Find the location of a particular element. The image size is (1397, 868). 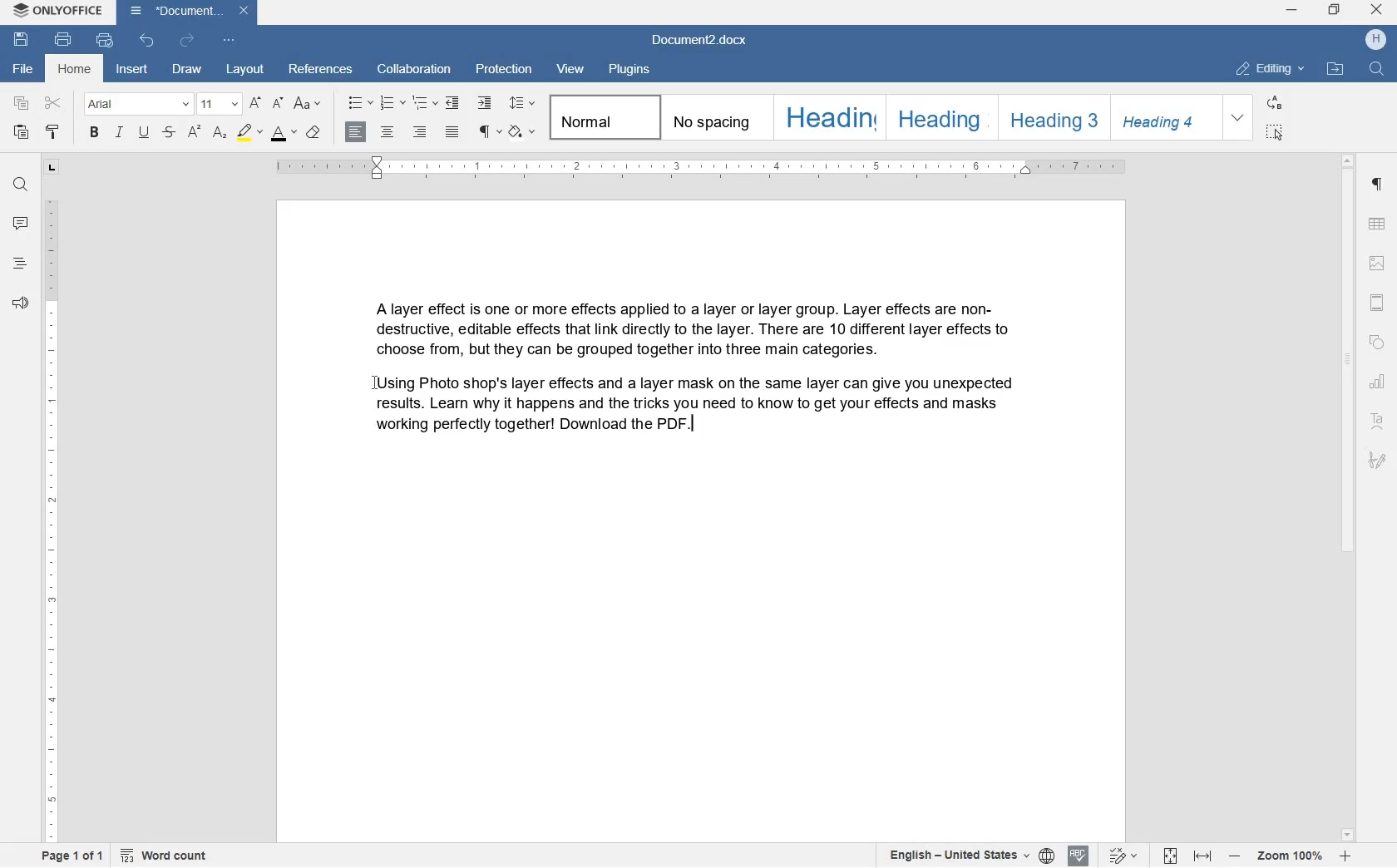

SUPERSCRIPT is located at coordinates (194, 133).